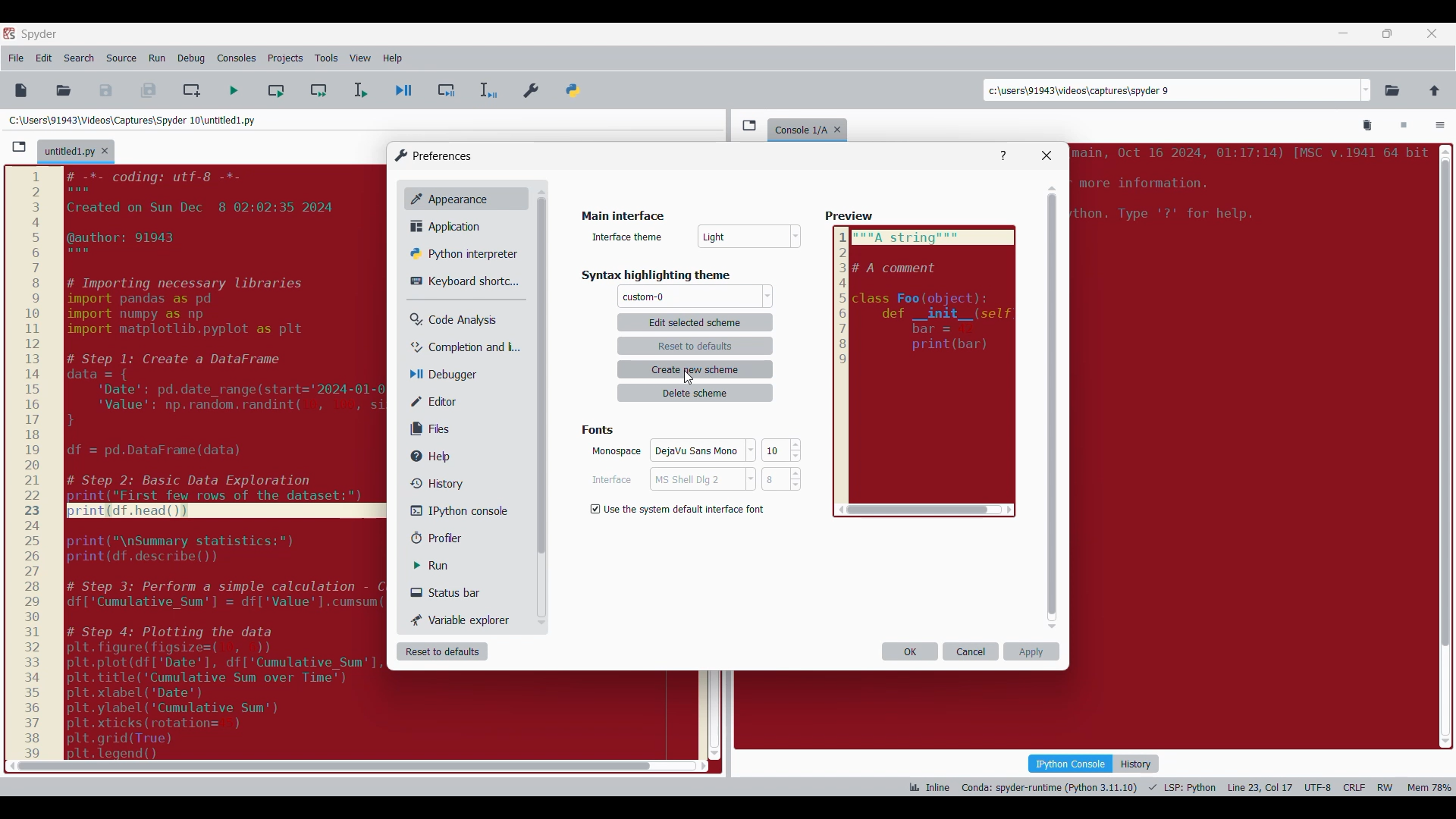  I want to click on Tools menu, so click(326, 58).